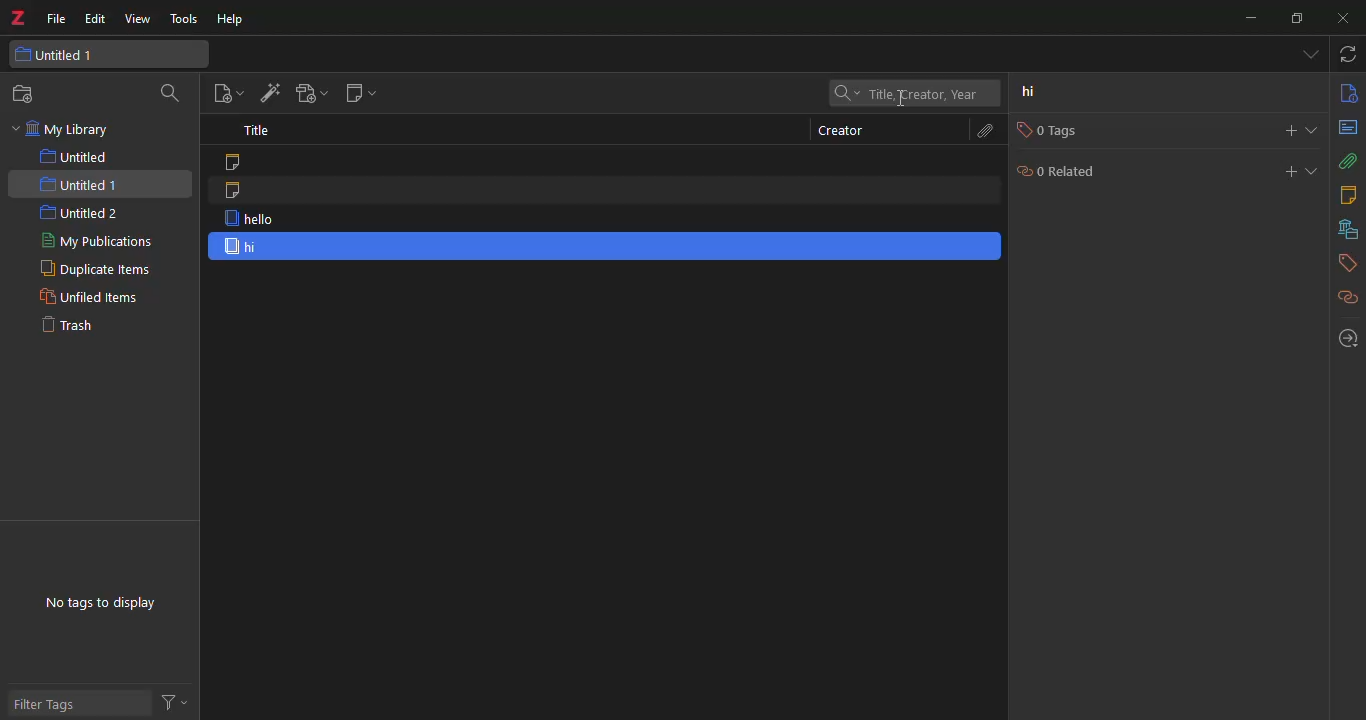 The width and height of the screenshot is (1366, 720). Describe the element at coordinates (360, 93) in the screenshot. I see `new note` at that location.